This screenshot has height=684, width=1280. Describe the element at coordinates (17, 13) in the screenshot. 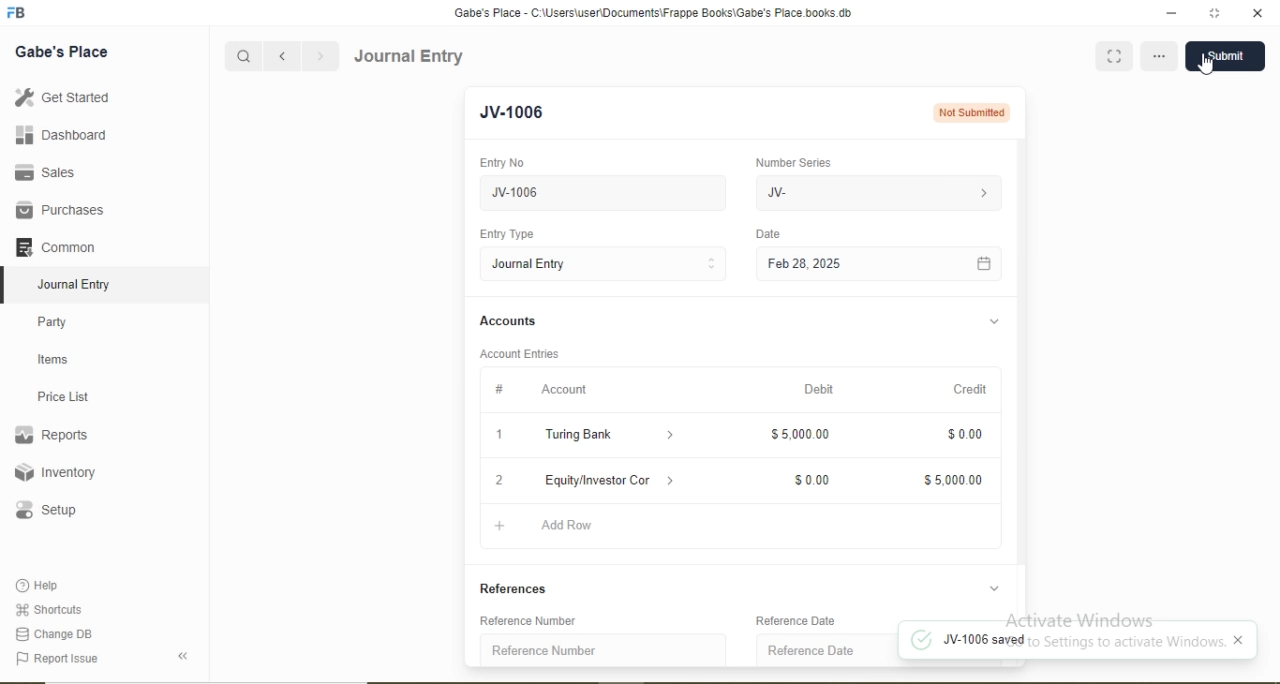

I see `Logo` at that location.